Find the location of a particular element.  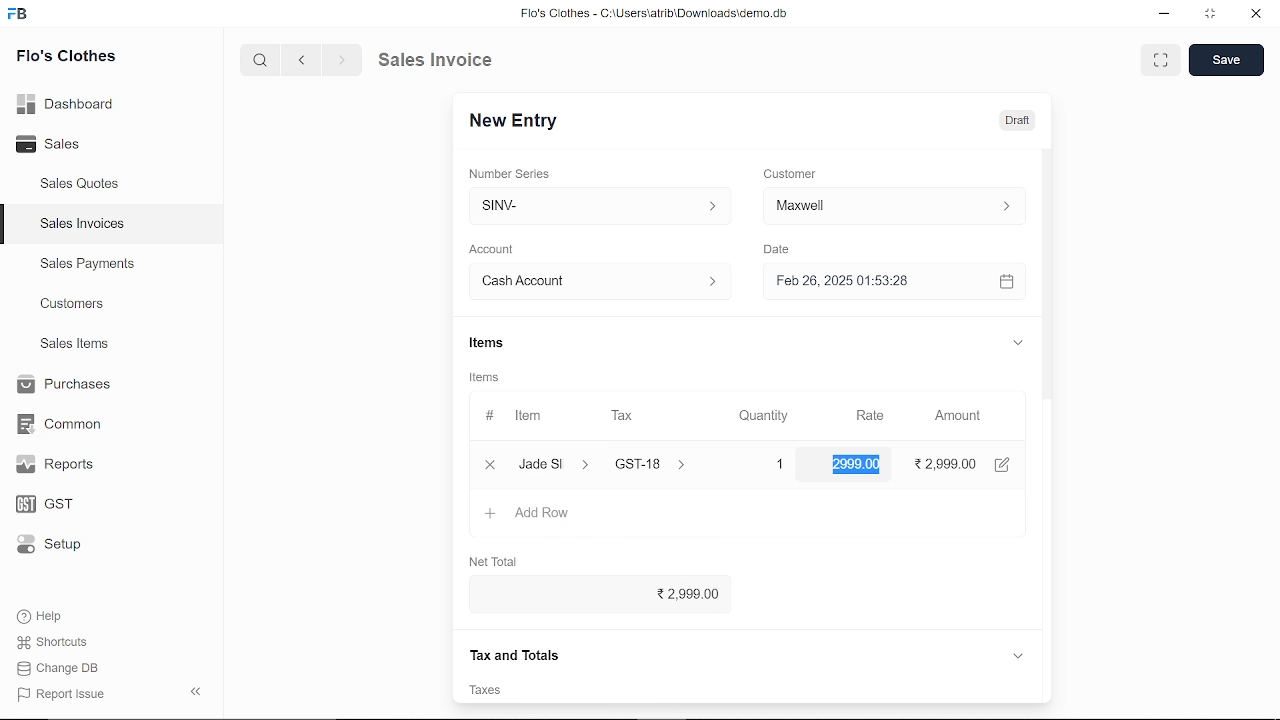

frappe books is located at coordinates (18, 16).